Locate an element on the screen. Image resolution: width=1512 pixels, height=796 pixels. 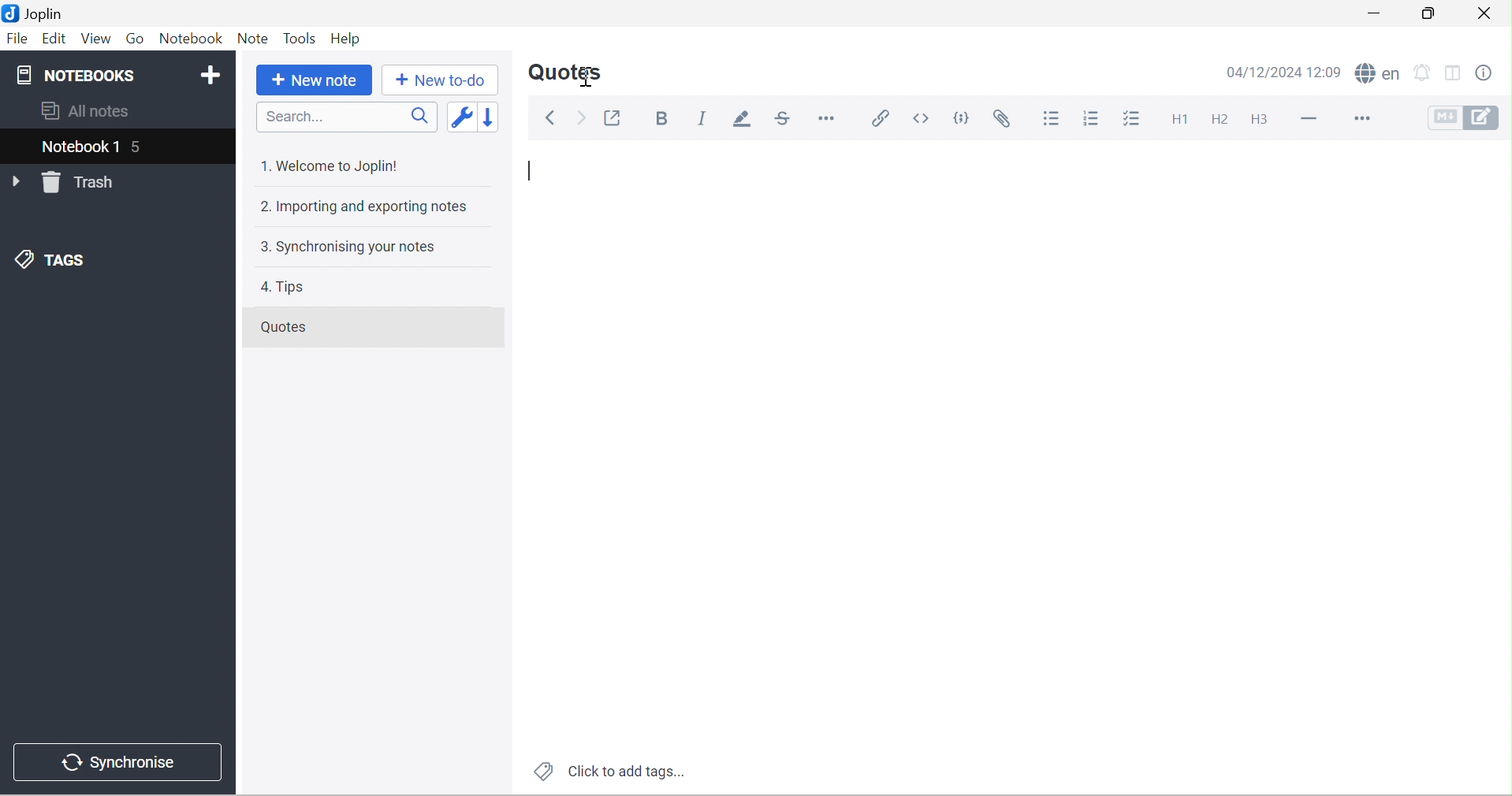
Highlight is located at coordinates (743, 121).